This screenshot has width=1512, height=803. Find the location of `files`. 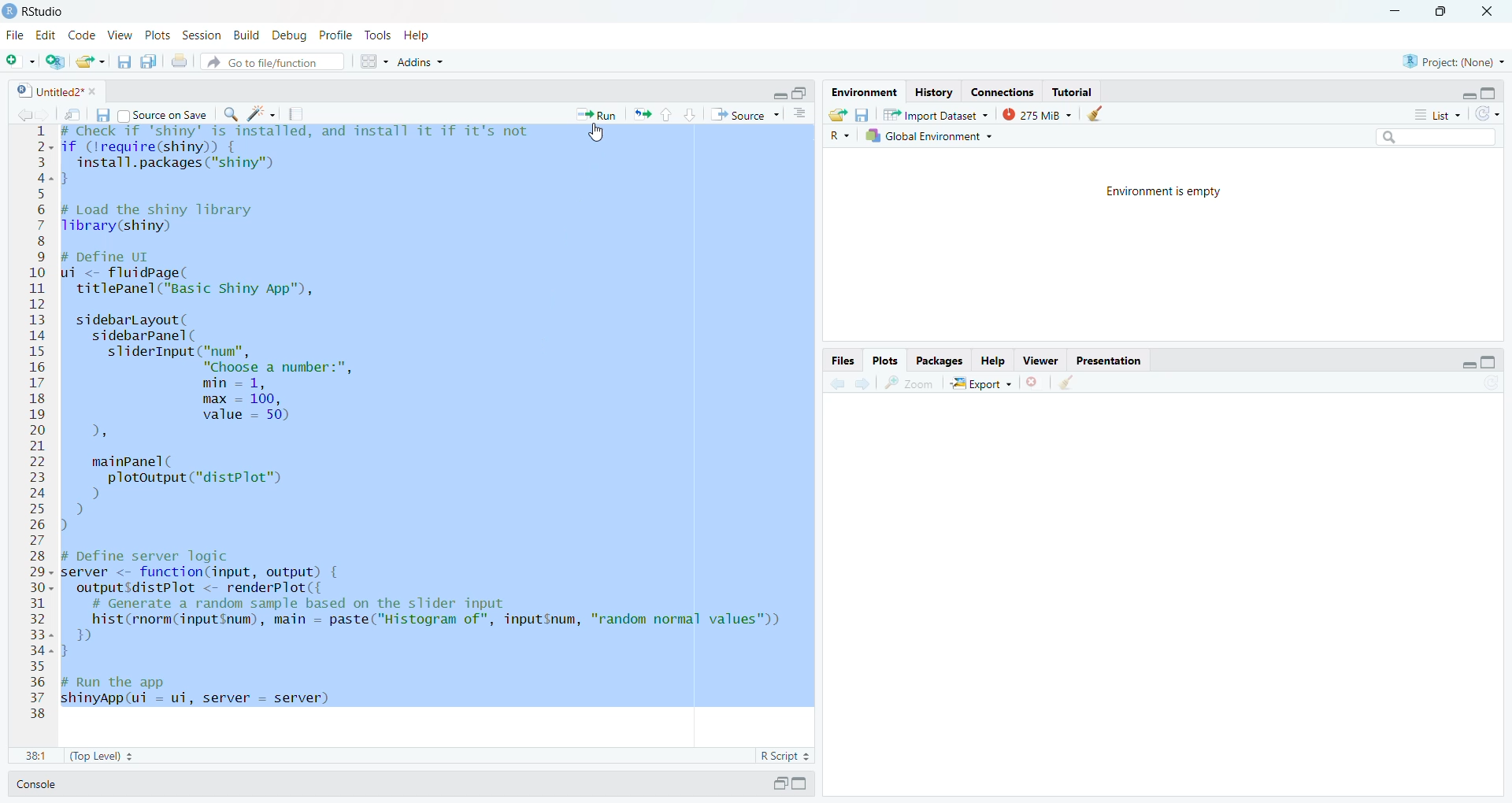

files is located at coordinates (843, 361).